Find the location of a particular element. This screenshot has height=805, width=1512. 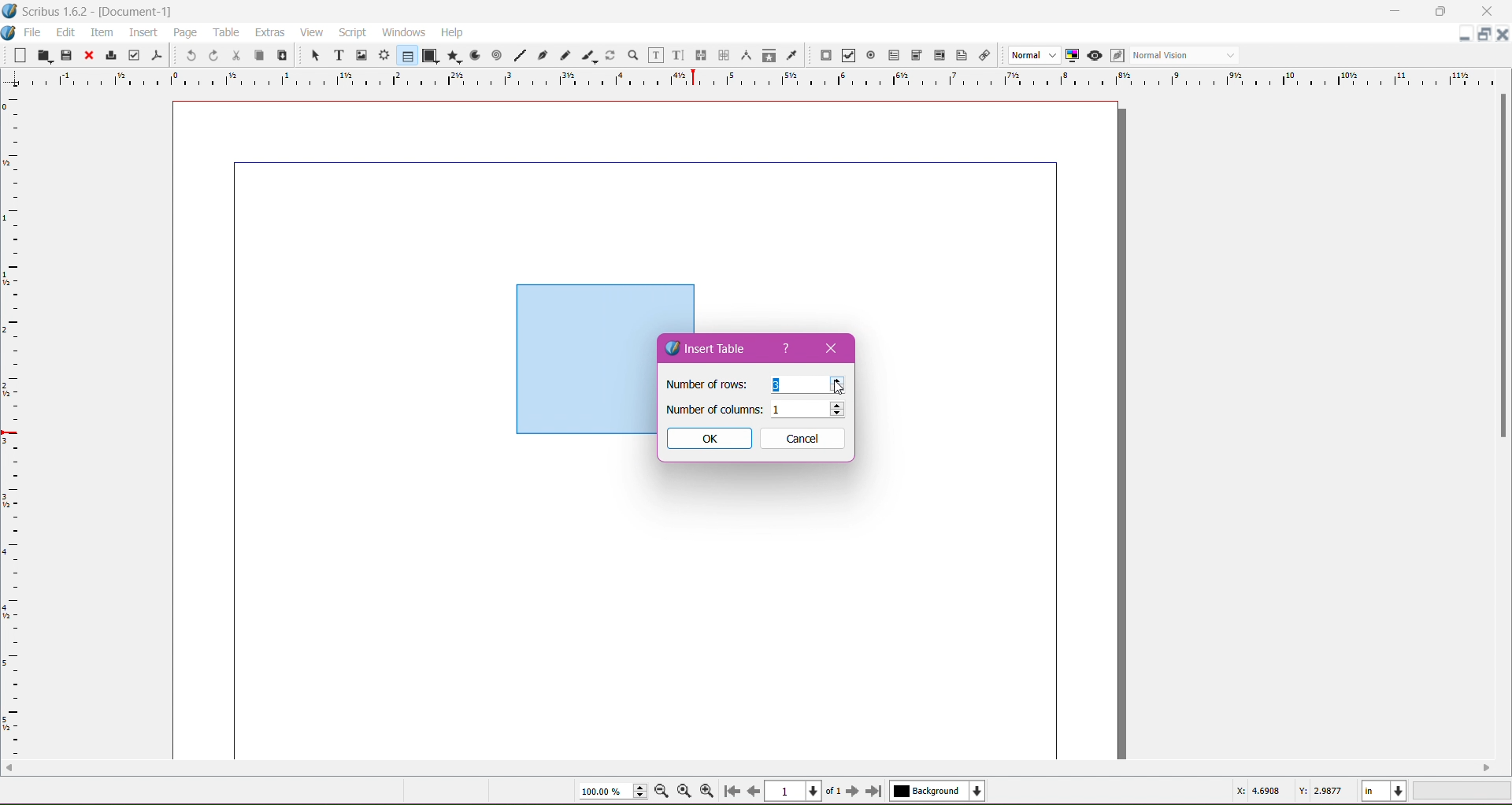

Previous page is located at coordinates (753, 790).